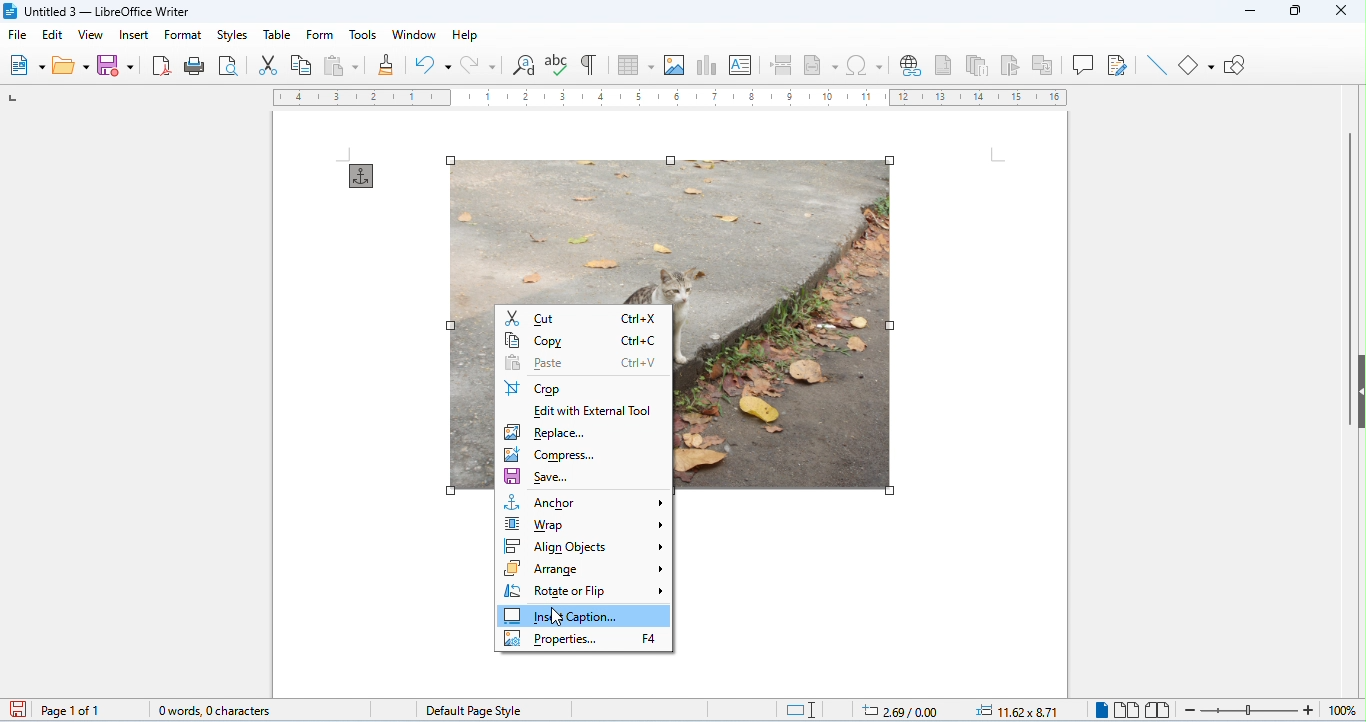 This screenshot has height=722, width=1366. Describe the element at coordinates (1198, 64) in the screenshot. I see `basic shapes` at that location.